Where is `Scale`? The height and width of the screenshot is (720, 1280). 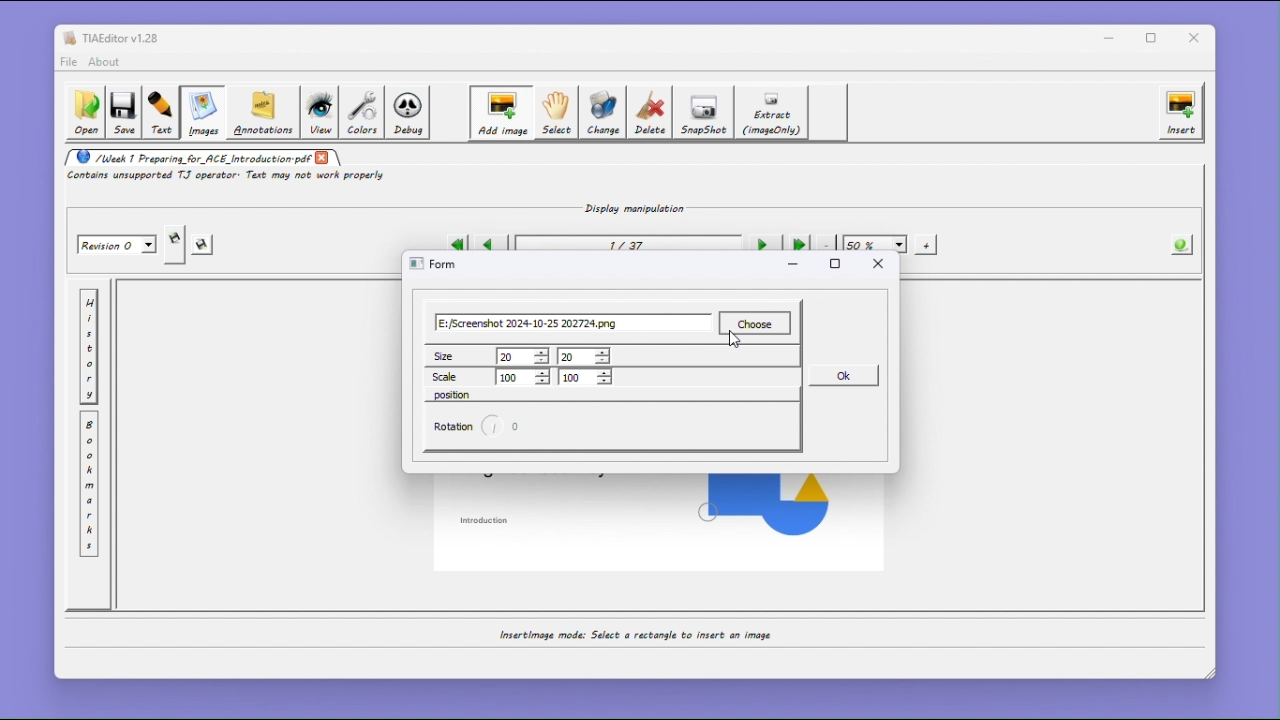 Scale is located at coordinates (459, 376).